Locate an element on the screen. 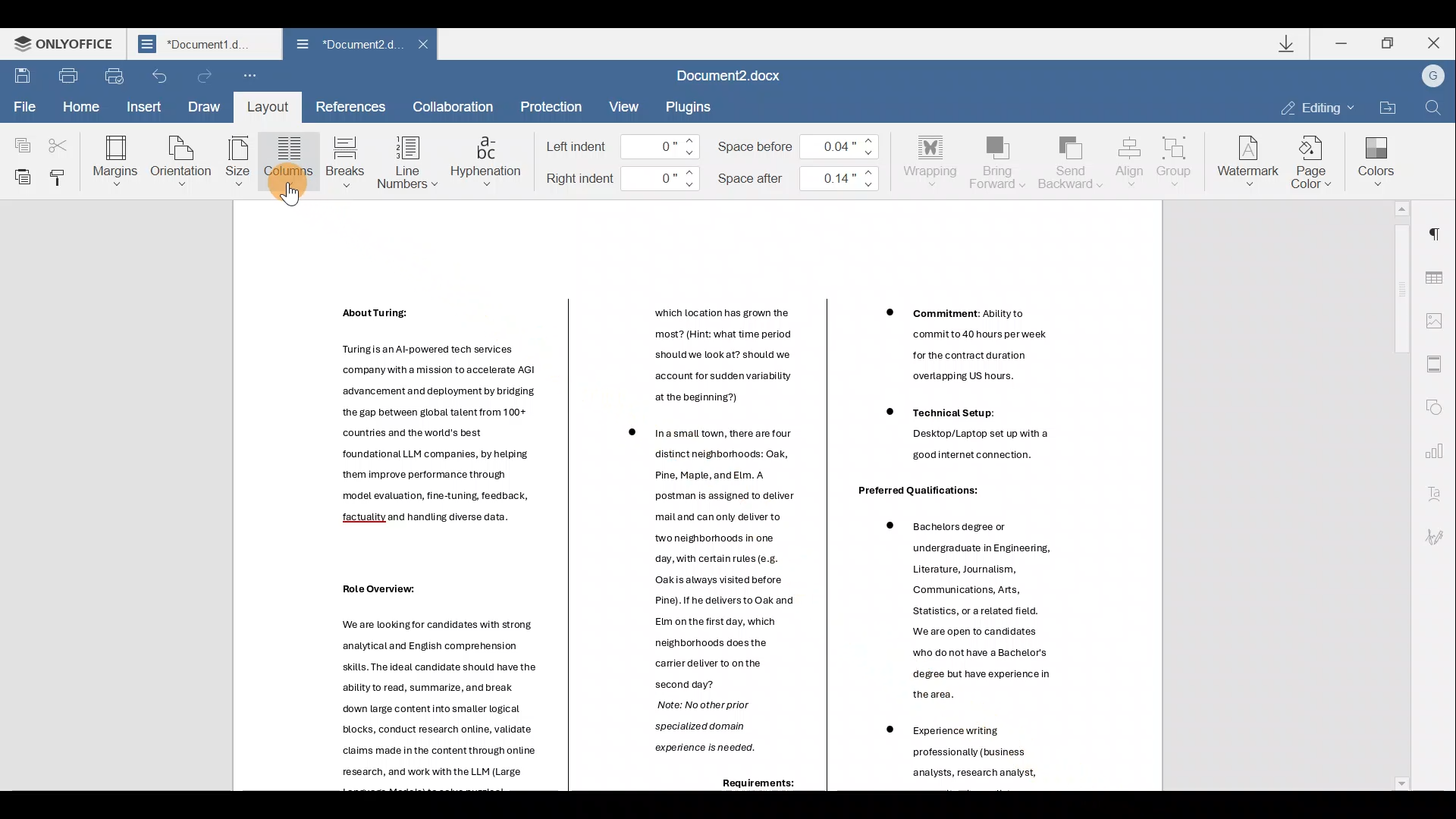   is located at coordinates (915, 491).